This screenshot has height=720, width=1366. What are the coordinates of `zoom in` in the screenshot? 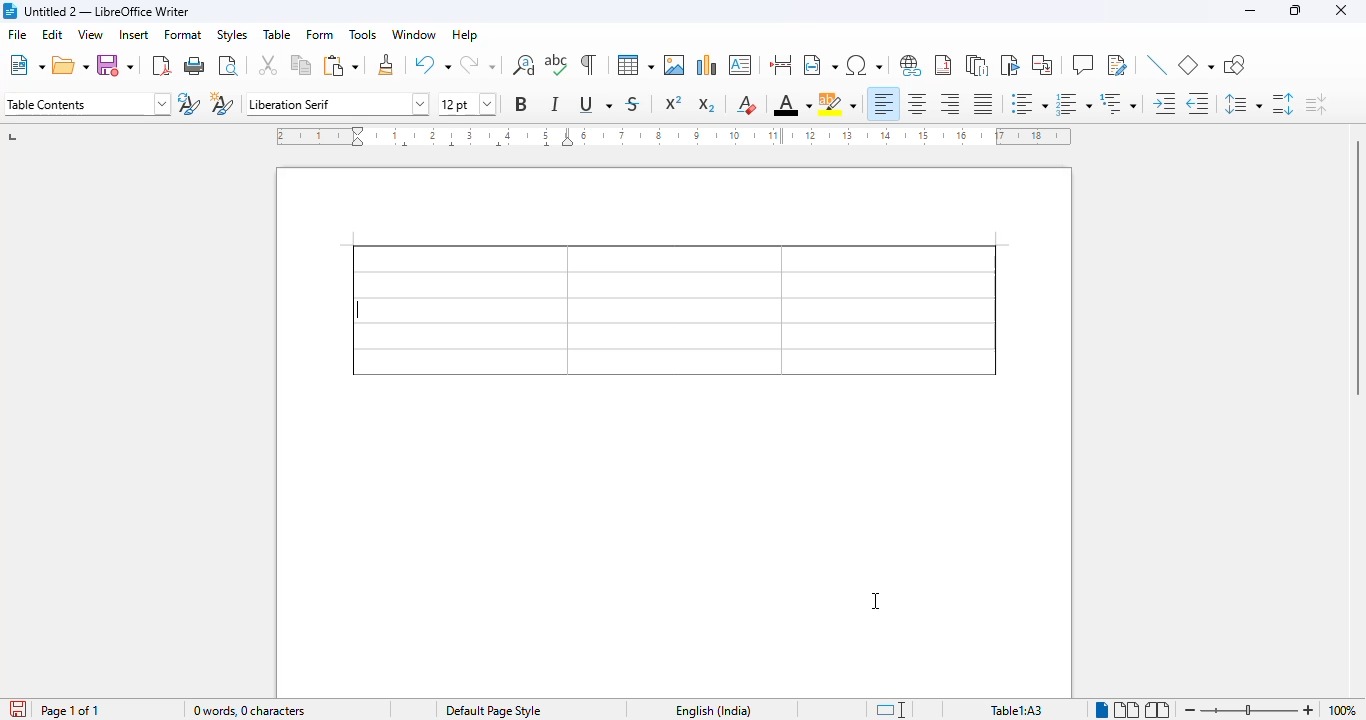 It's located at (1309, 710).